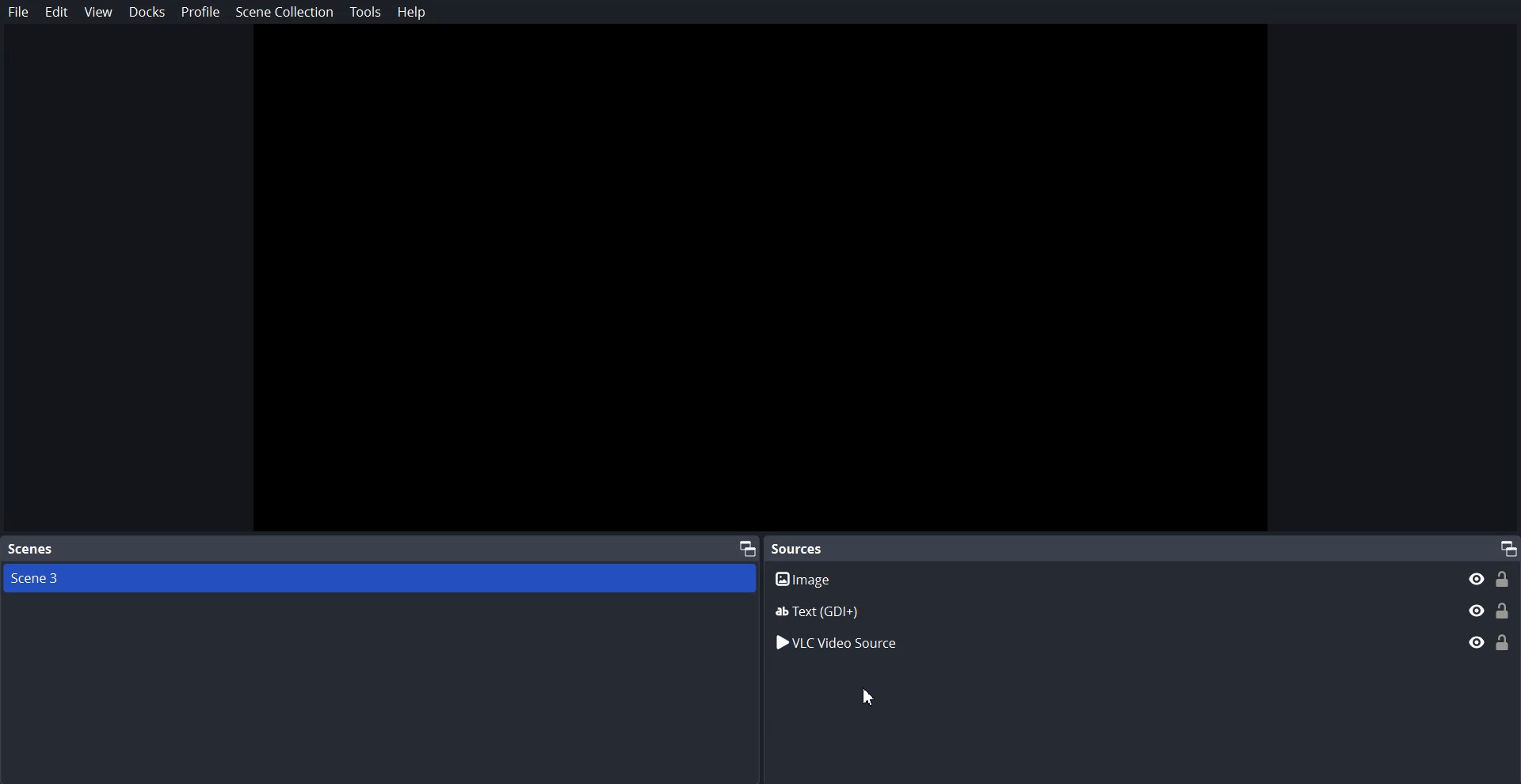 The width and height of the screenshot is (1521, 784). What do you see at coordinates (1477, 641) in the screenshot?
I see `Eye` at bounding box center [1477, 641].